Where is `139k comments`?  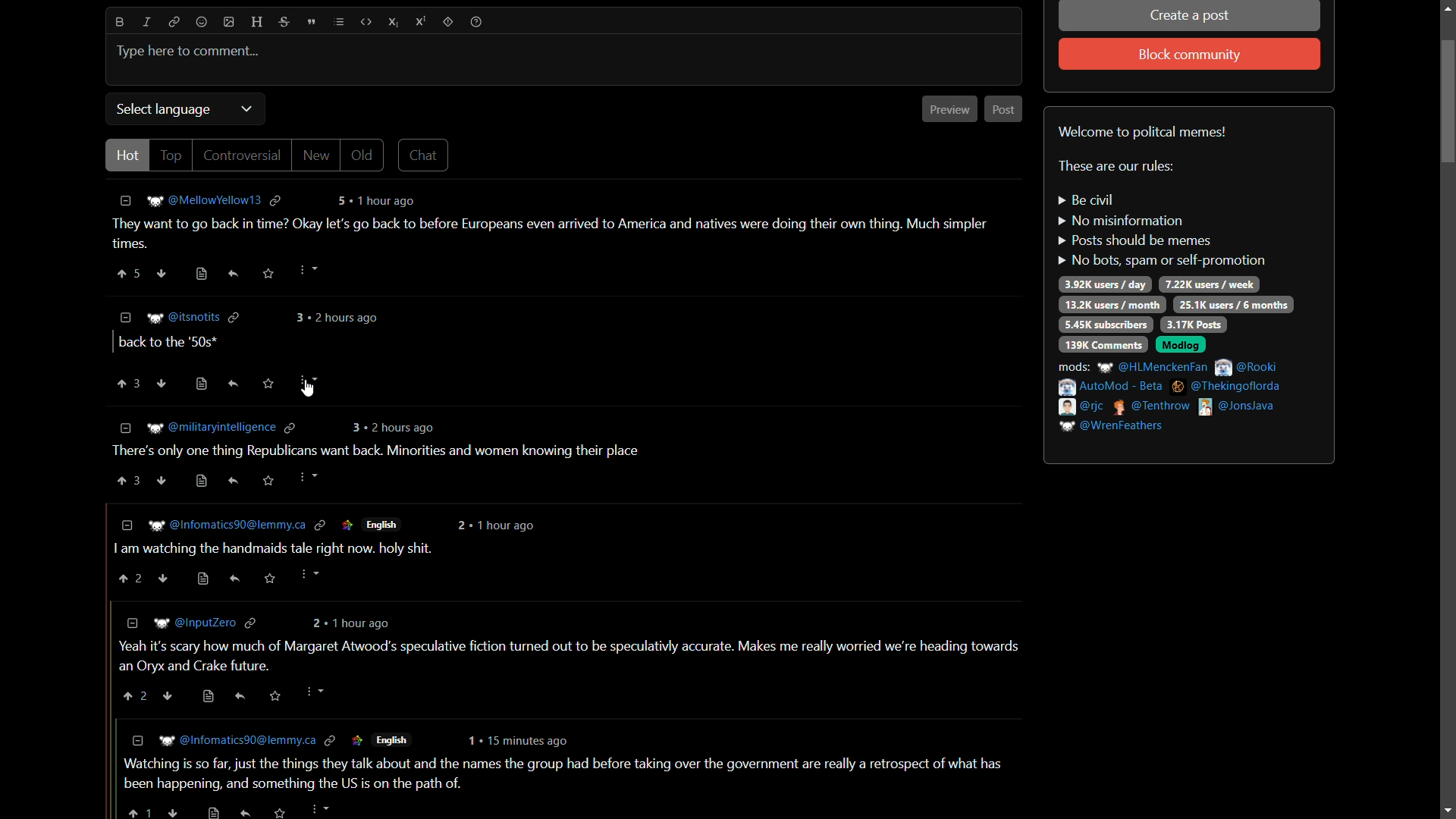
139k comments is located at coordinates (1103, 344).